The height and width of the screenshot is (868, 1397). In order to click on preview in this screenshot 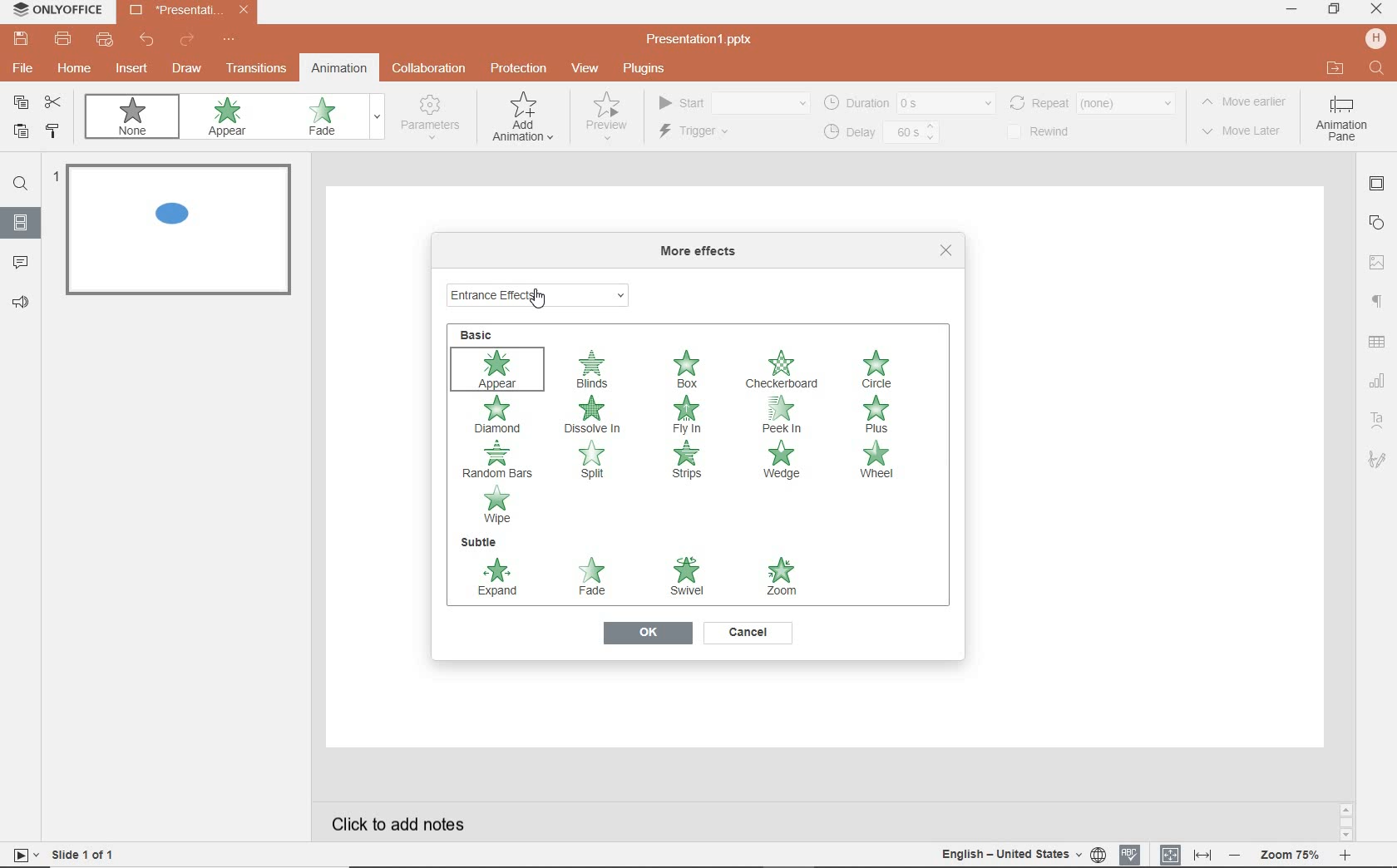, I will do `click(605, 121)`.